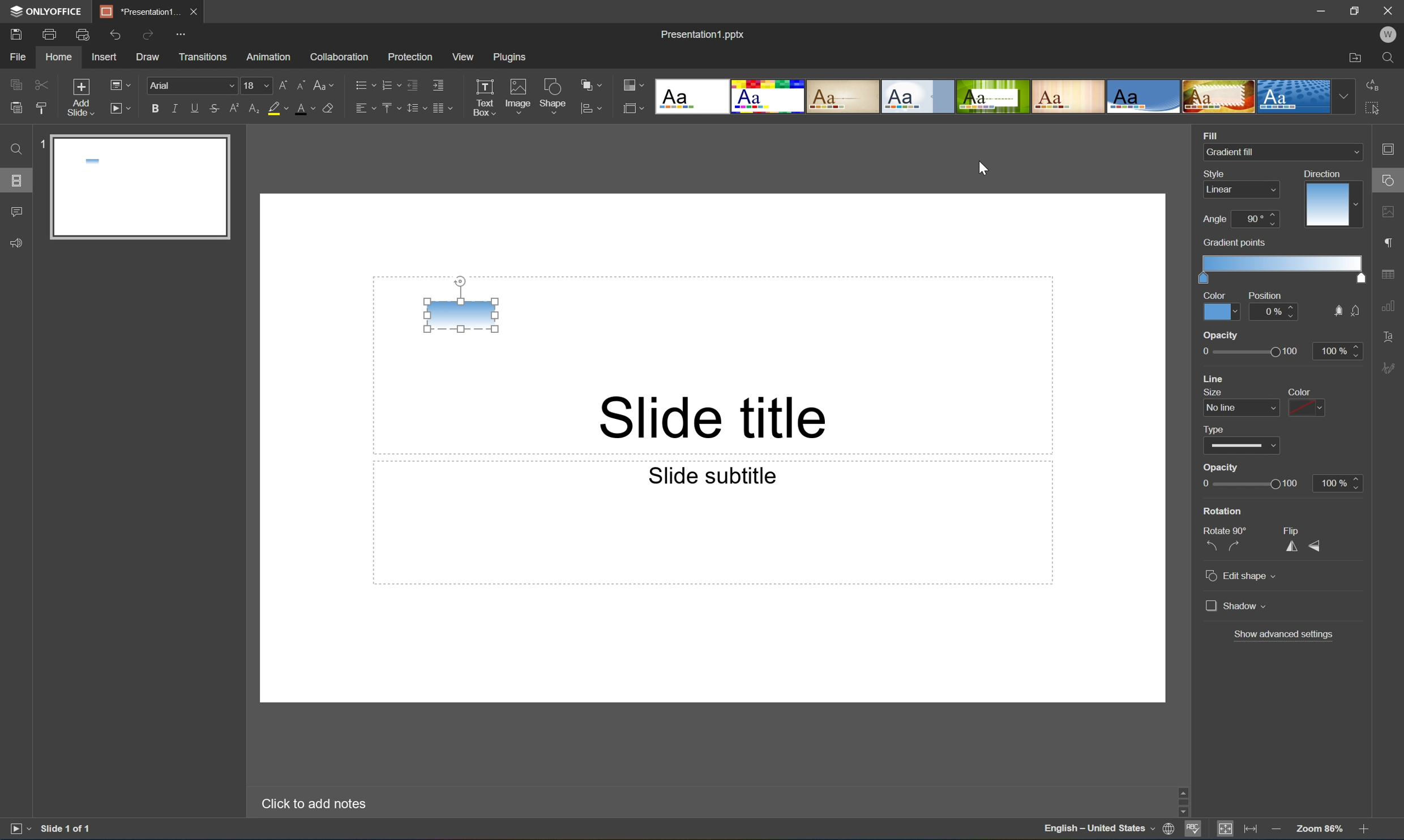 Image resolution: width=1404 pixels, height=840 pixels. I want to click on Close, so click(192, 10).